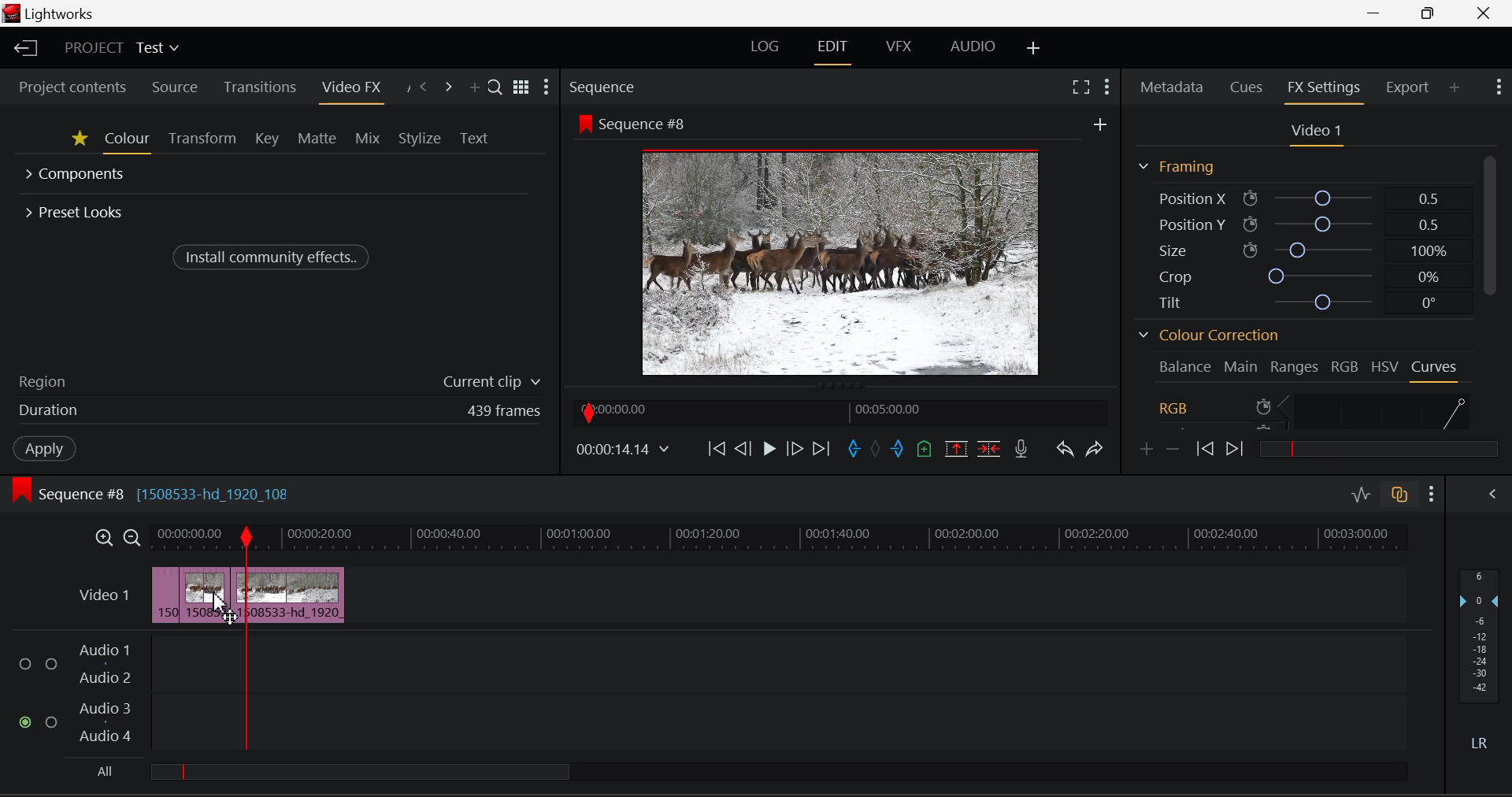 The height and width of the screenshot is (797, 1512). Describe the element at coordinates (424, 86) in the screenshot. I see `Previous Panel` at that location.